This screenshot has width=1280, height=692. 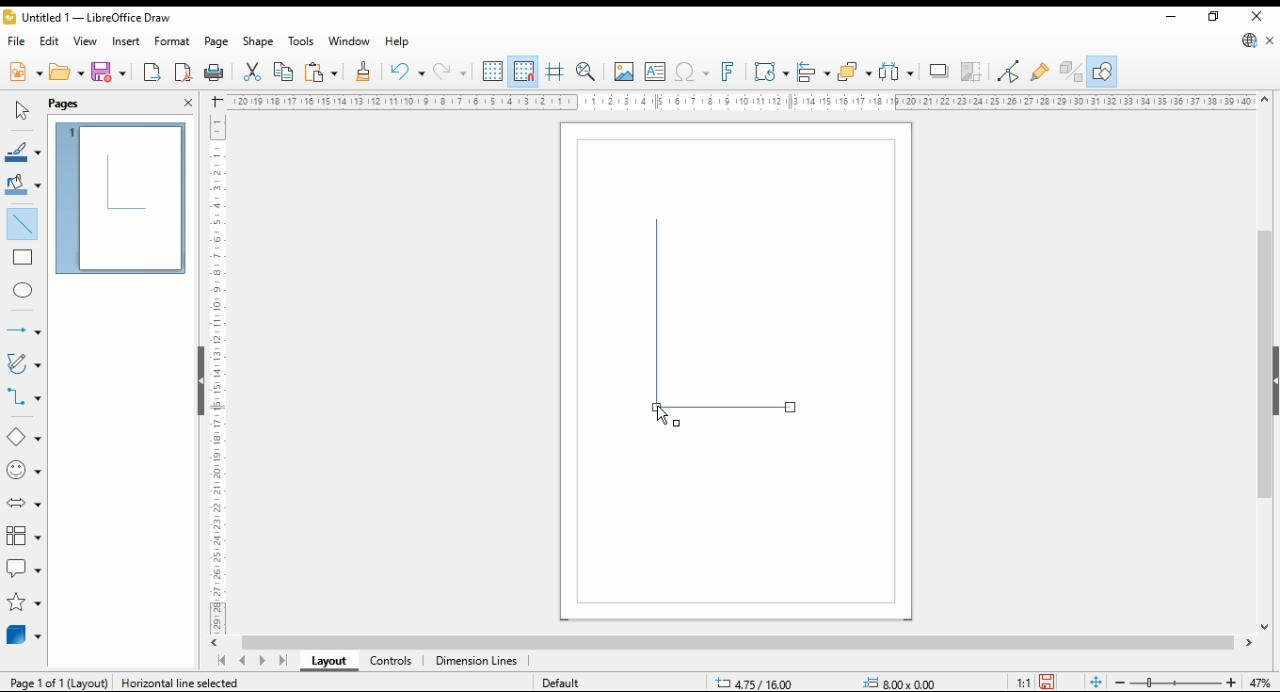 What do you see at coordinates (283, 72) in the screenshot?
I see `copy` at bounding box center [283, 72].